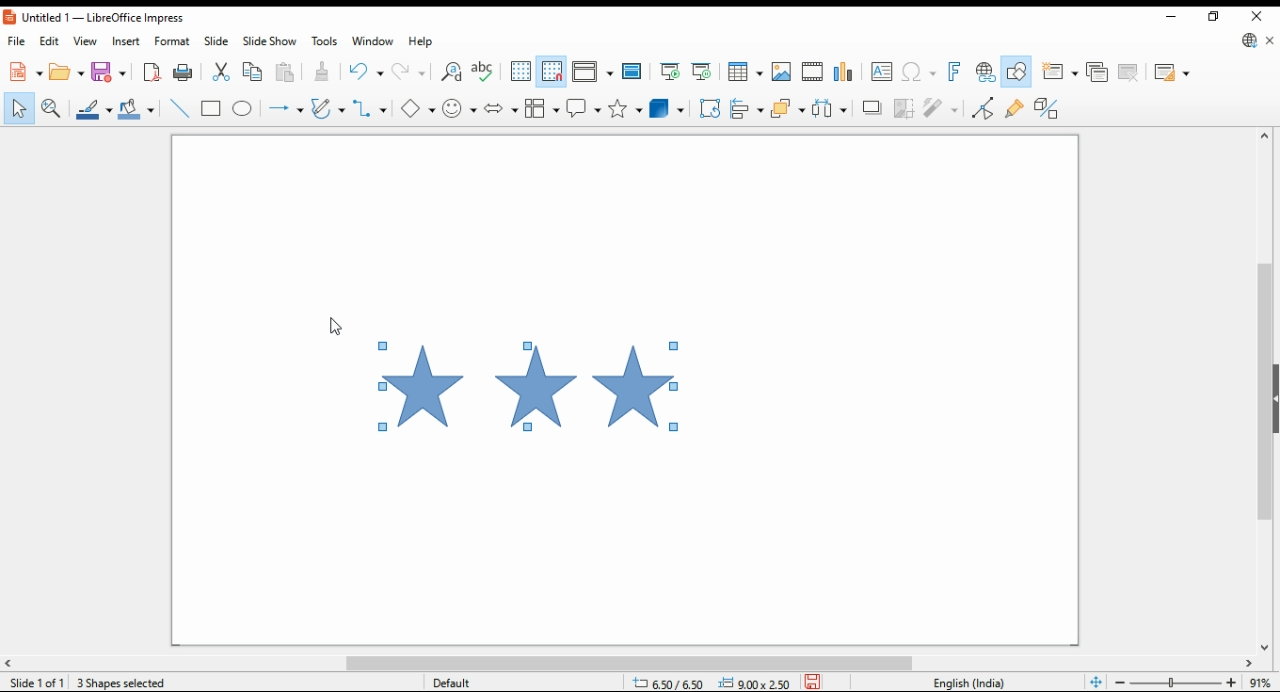  Describe the element at coordinates (323, 40) in the screenshot. I see `tools` at that location.